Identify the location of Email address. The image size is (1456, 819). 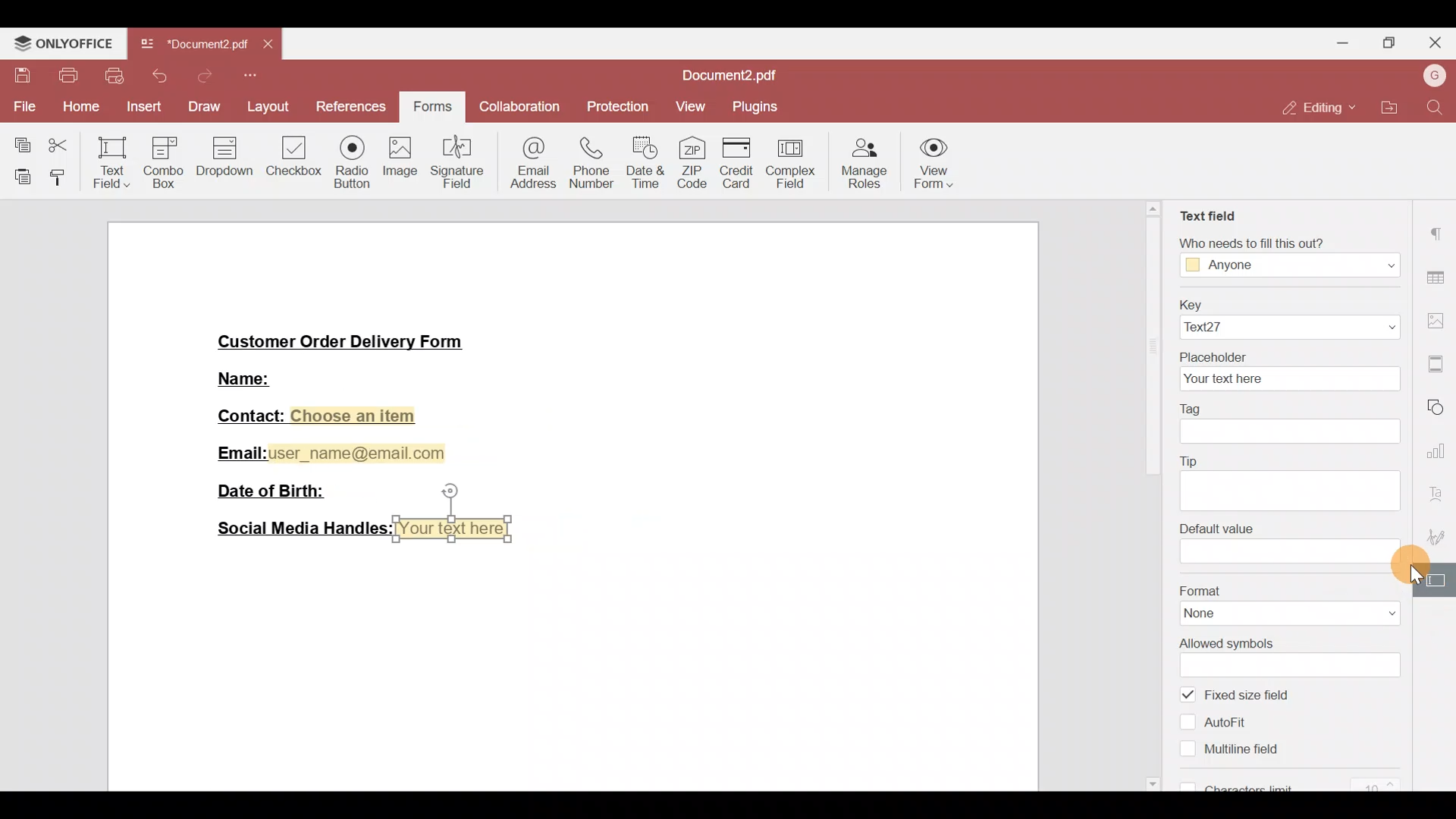
(527, 165).